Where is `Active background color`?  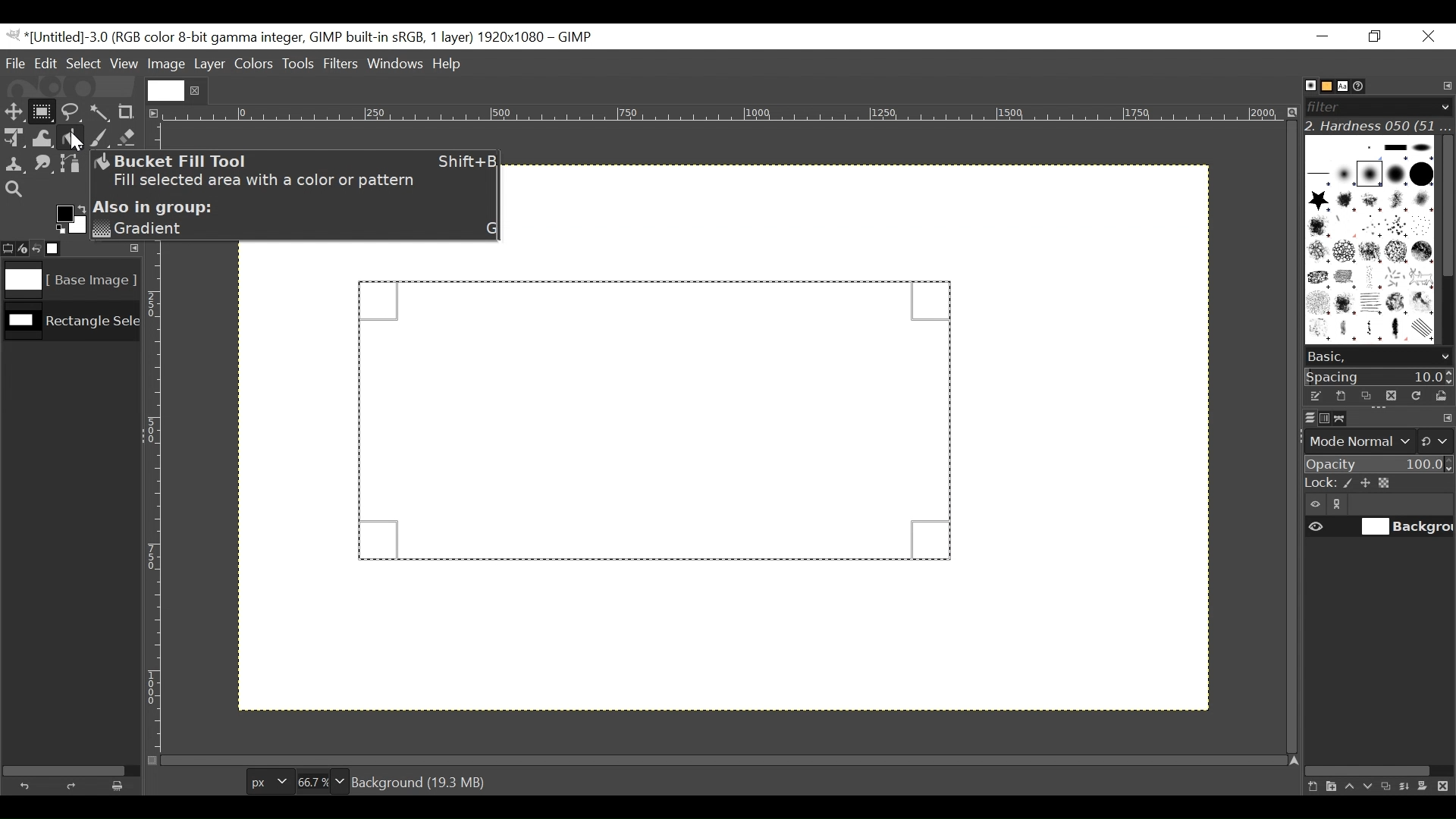 Active background color is located at coordinates (70, 218).